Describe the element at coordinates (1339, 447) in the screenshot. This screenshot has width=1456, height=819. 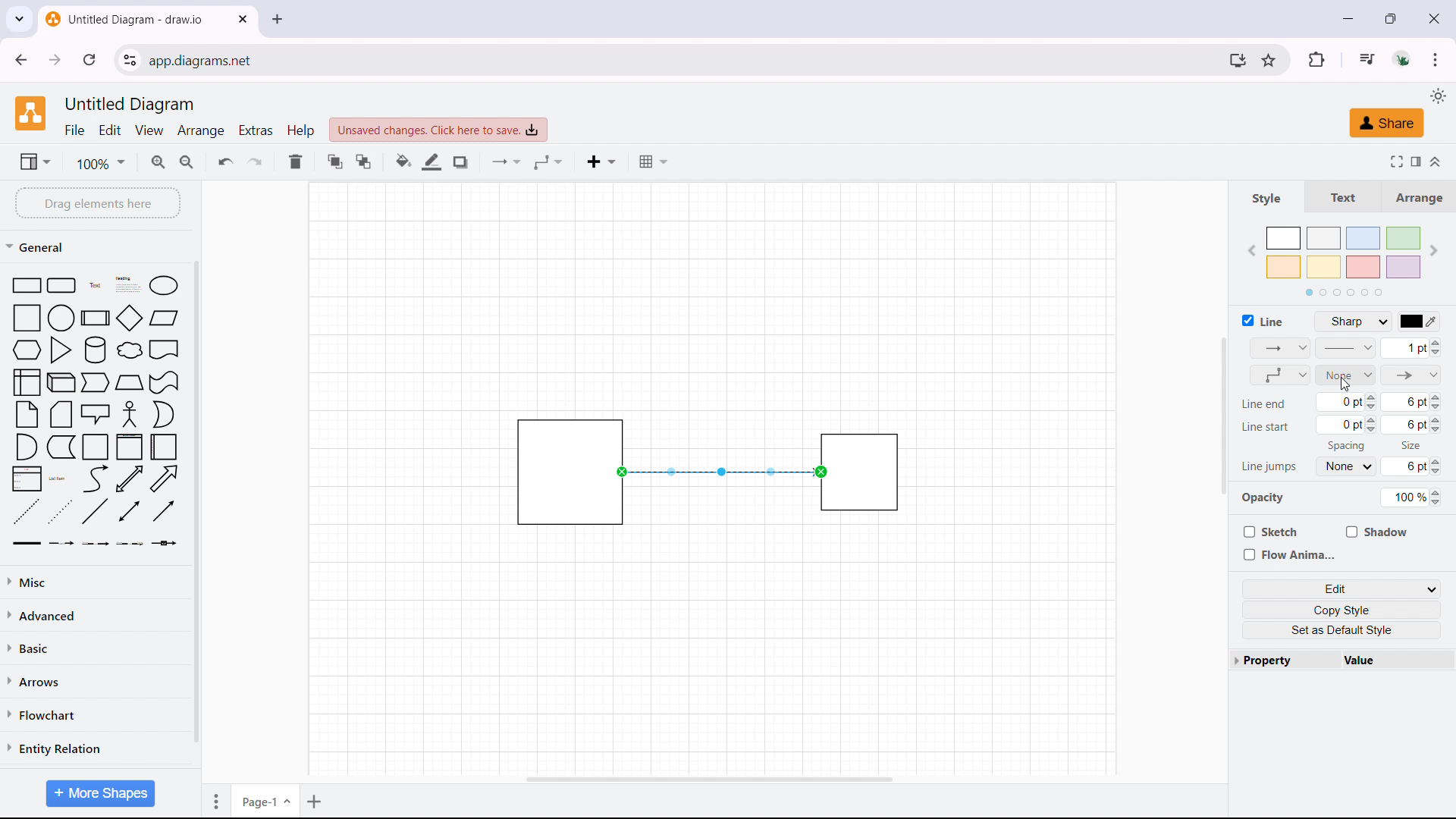
I see `Spacing` at that location.